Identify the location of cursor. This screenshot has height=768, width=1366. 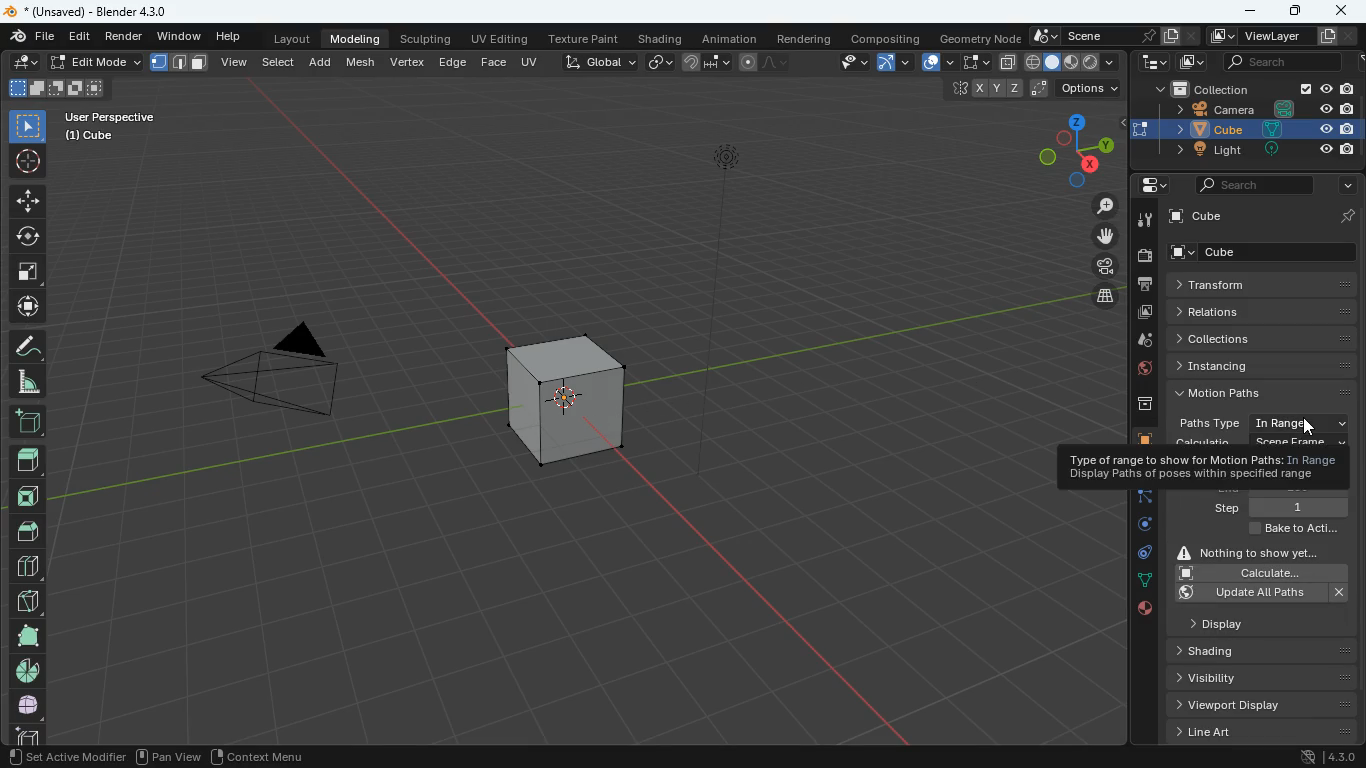
(1315, 425).